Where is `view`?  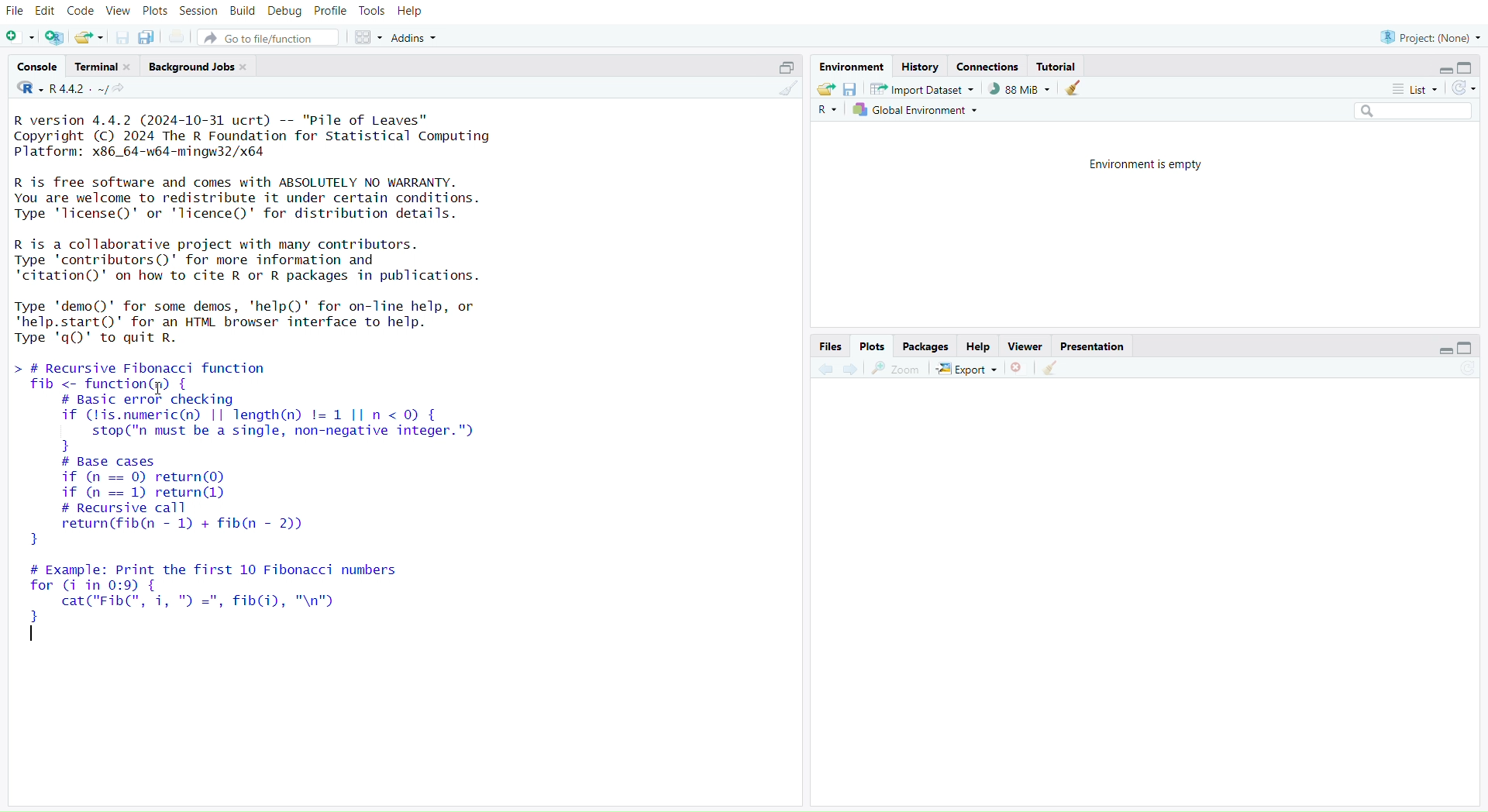 view is located at coordinates (119, 12).